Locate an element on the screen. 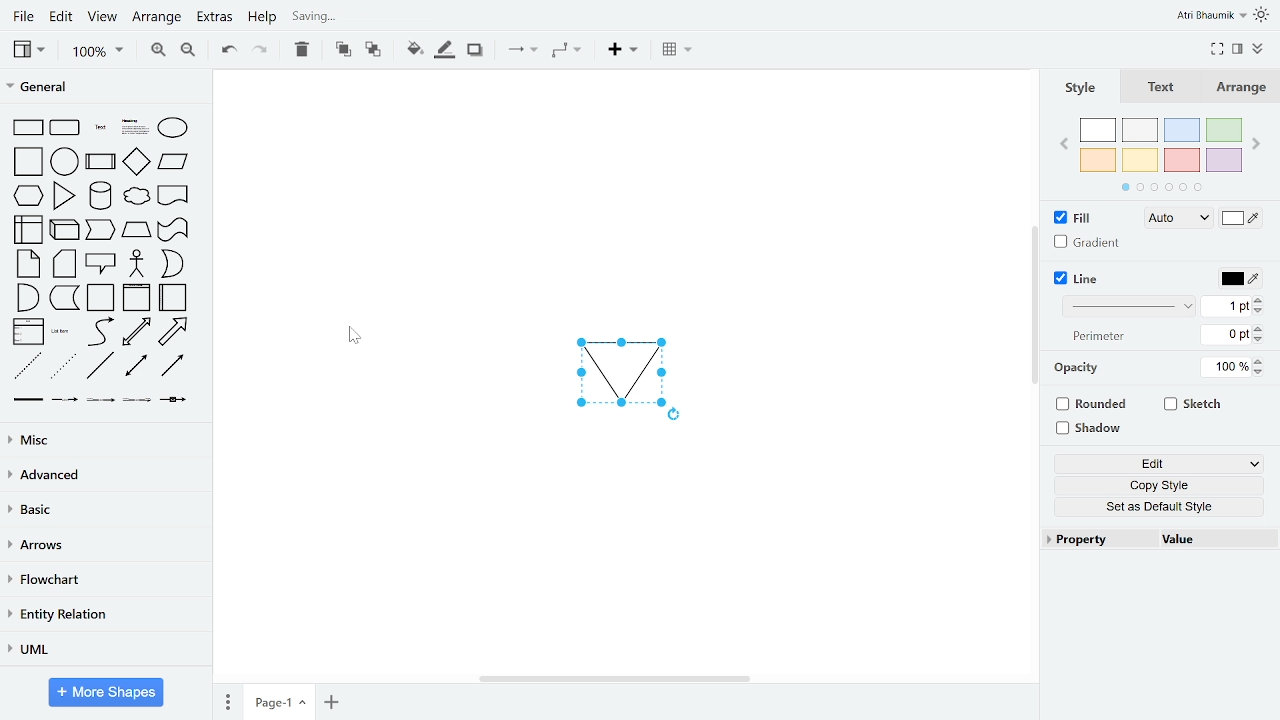 The image size is (1280, 720). Cursor is located at coordinates (348, 336).